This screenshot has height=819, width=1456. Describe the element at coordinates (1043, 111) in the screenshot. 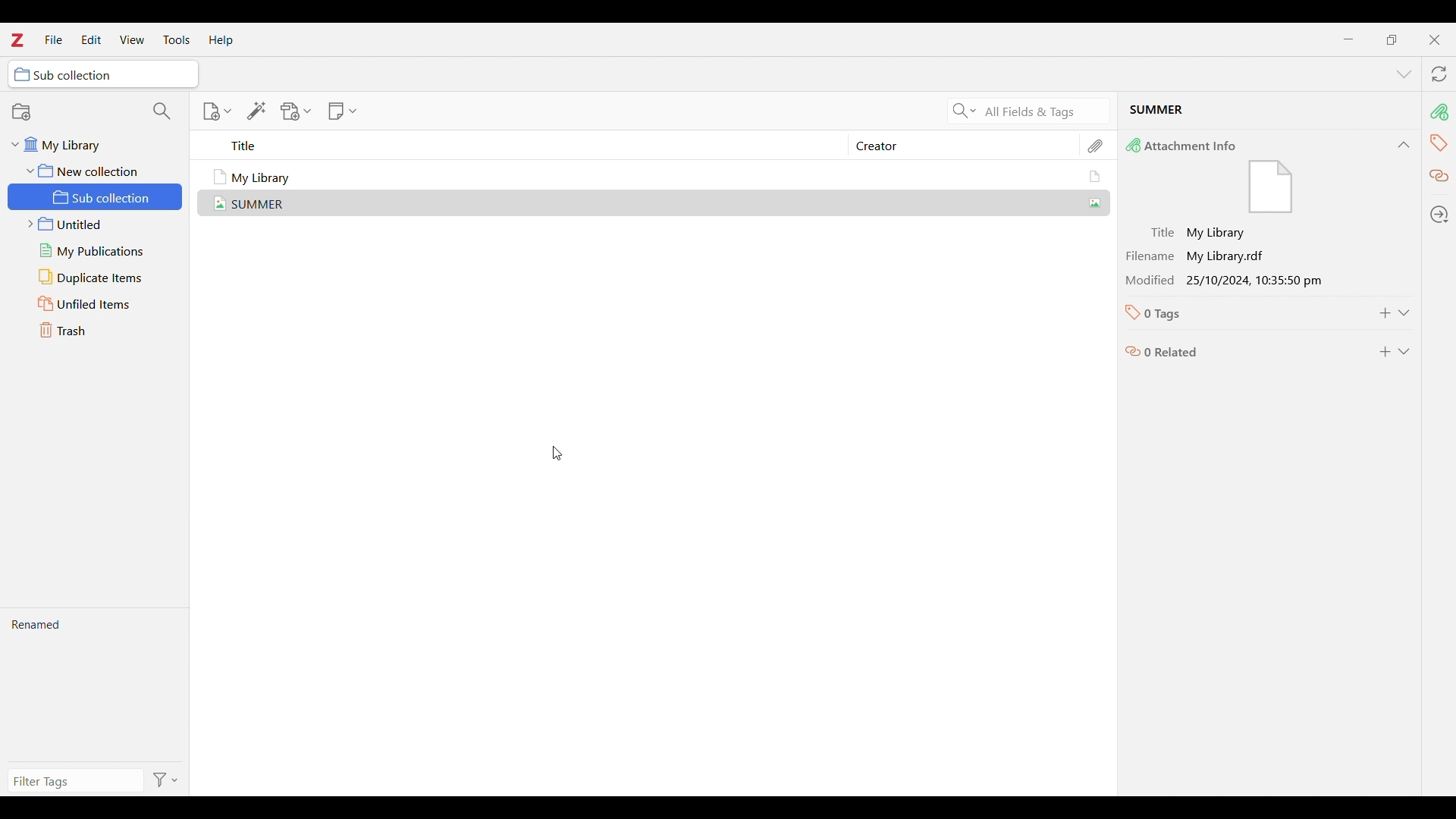

I see `Current search criteria` at that location.